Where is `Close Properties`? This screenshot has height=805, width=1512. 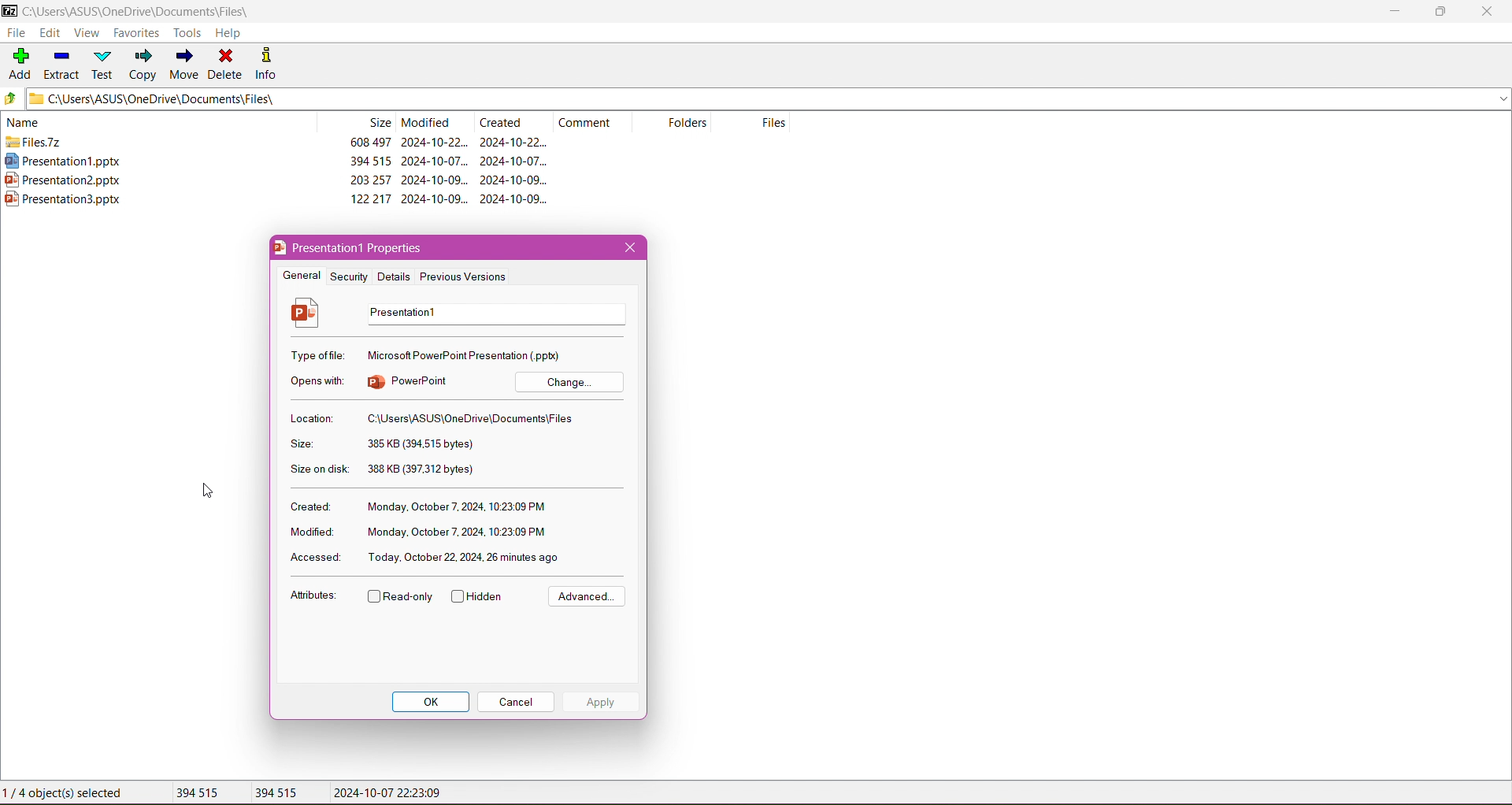 Close Properties is located at coordinates (629, 248).